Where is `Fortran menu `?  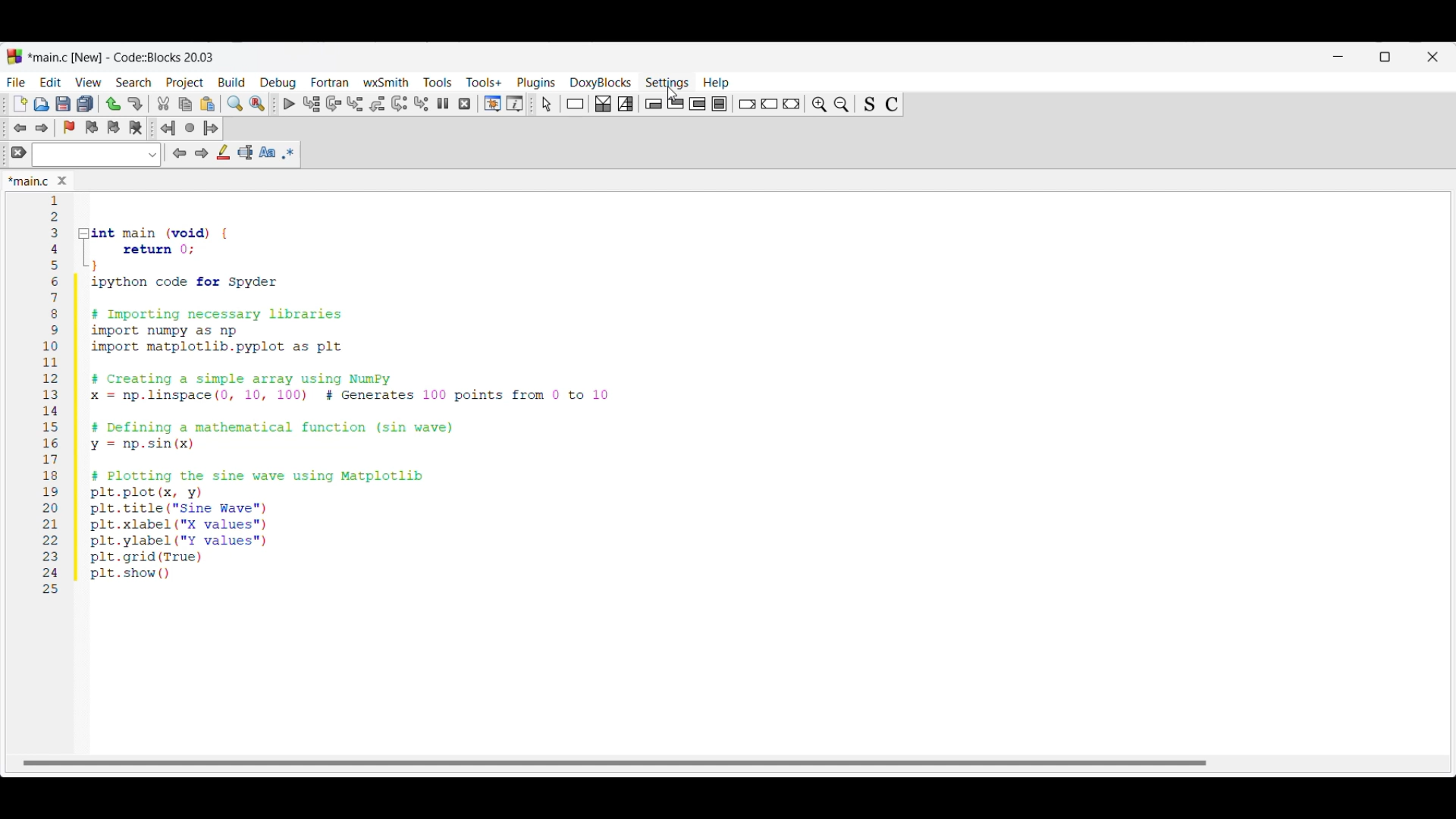
Fortran menu  is located at coordinates (330, 82).